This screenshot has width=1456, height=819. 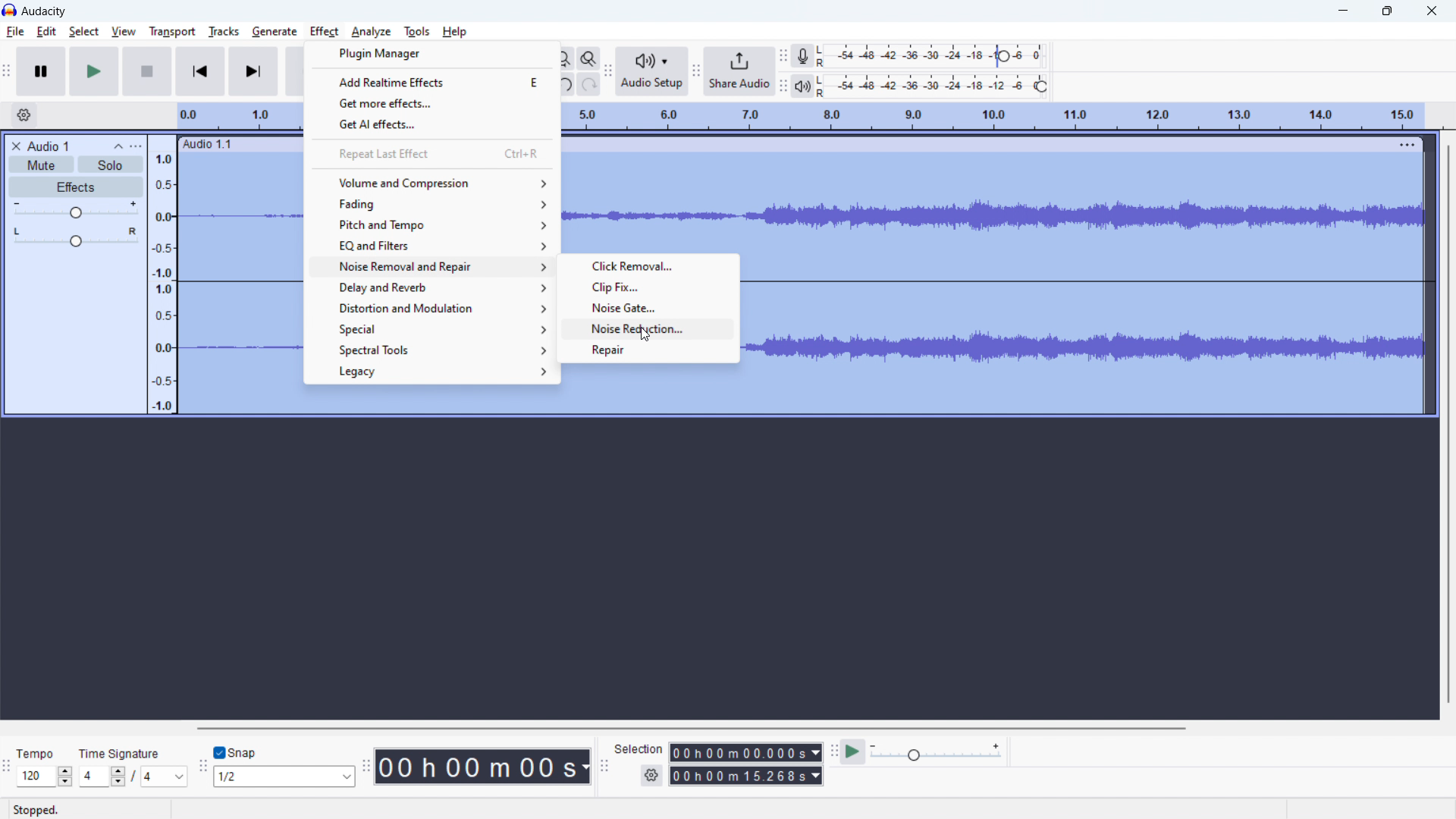 What do you see at coordinates (604, 763) in the screenshot?
I see `selection toolbar` at bounding box center [604, 763].